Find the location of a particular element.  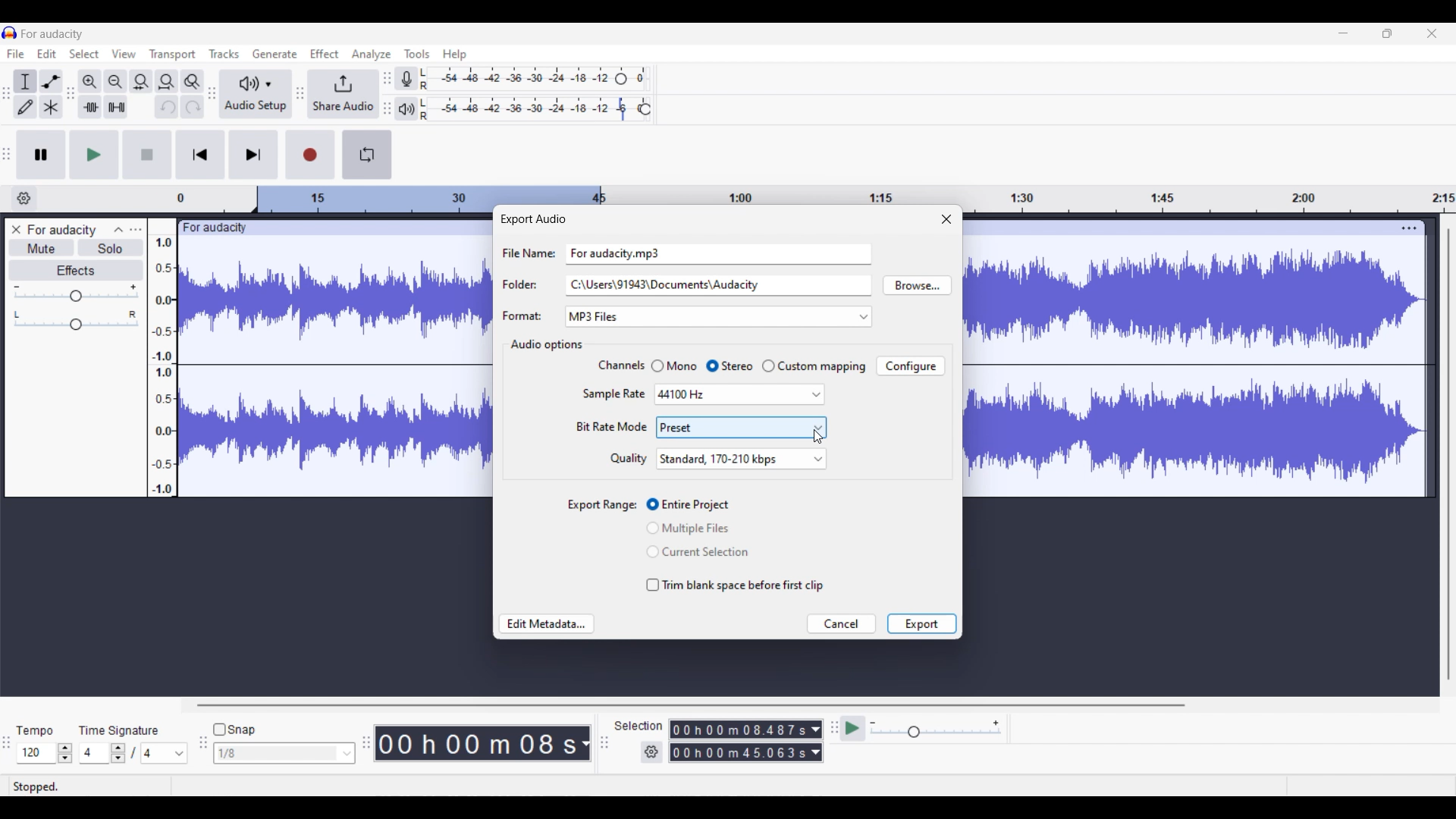

Cancel is located at coordinates (843, 623).